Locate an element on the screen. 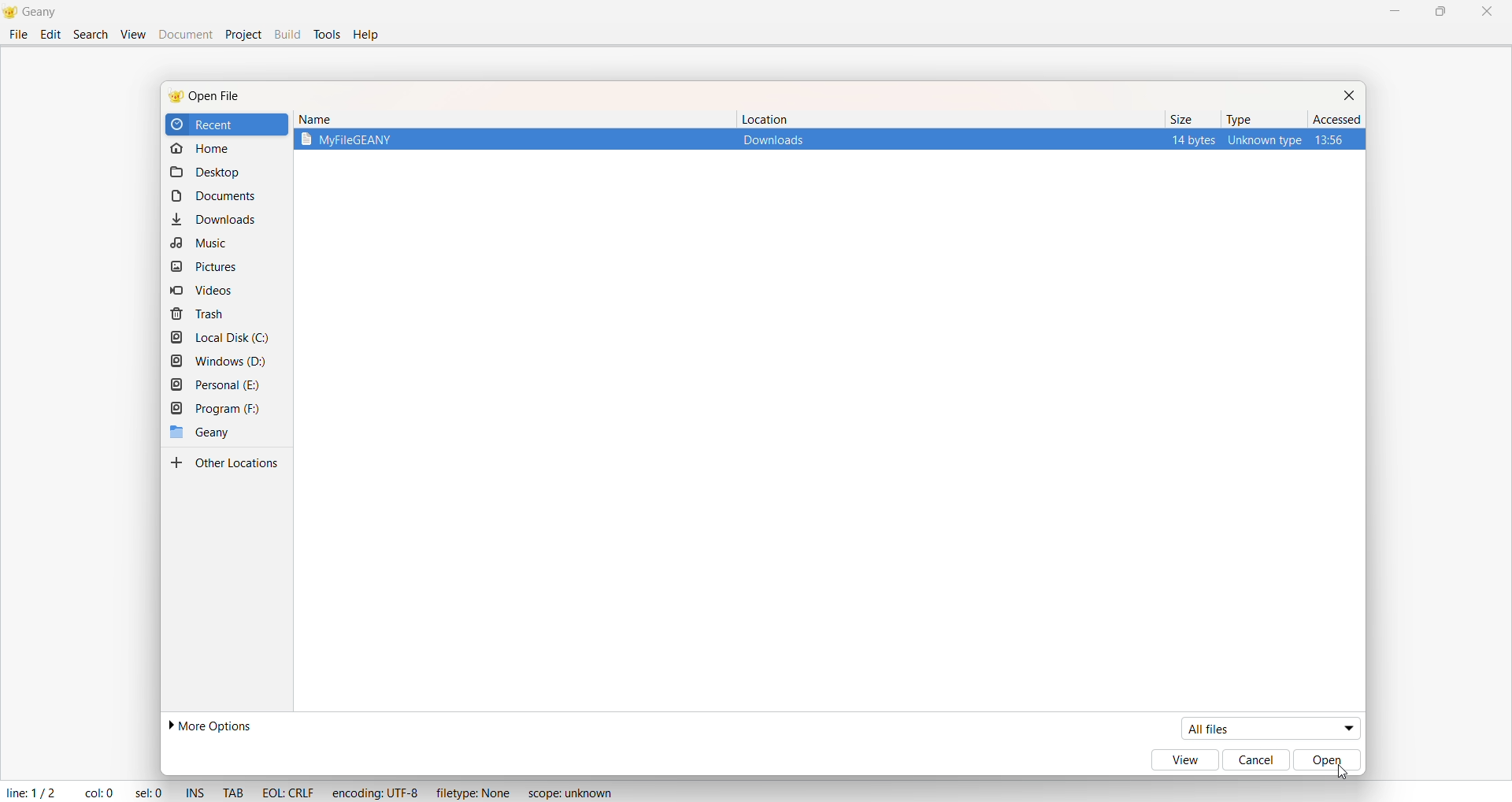 This screenshot has height=802, width=1512. type is located at coordinates (1235, 117).